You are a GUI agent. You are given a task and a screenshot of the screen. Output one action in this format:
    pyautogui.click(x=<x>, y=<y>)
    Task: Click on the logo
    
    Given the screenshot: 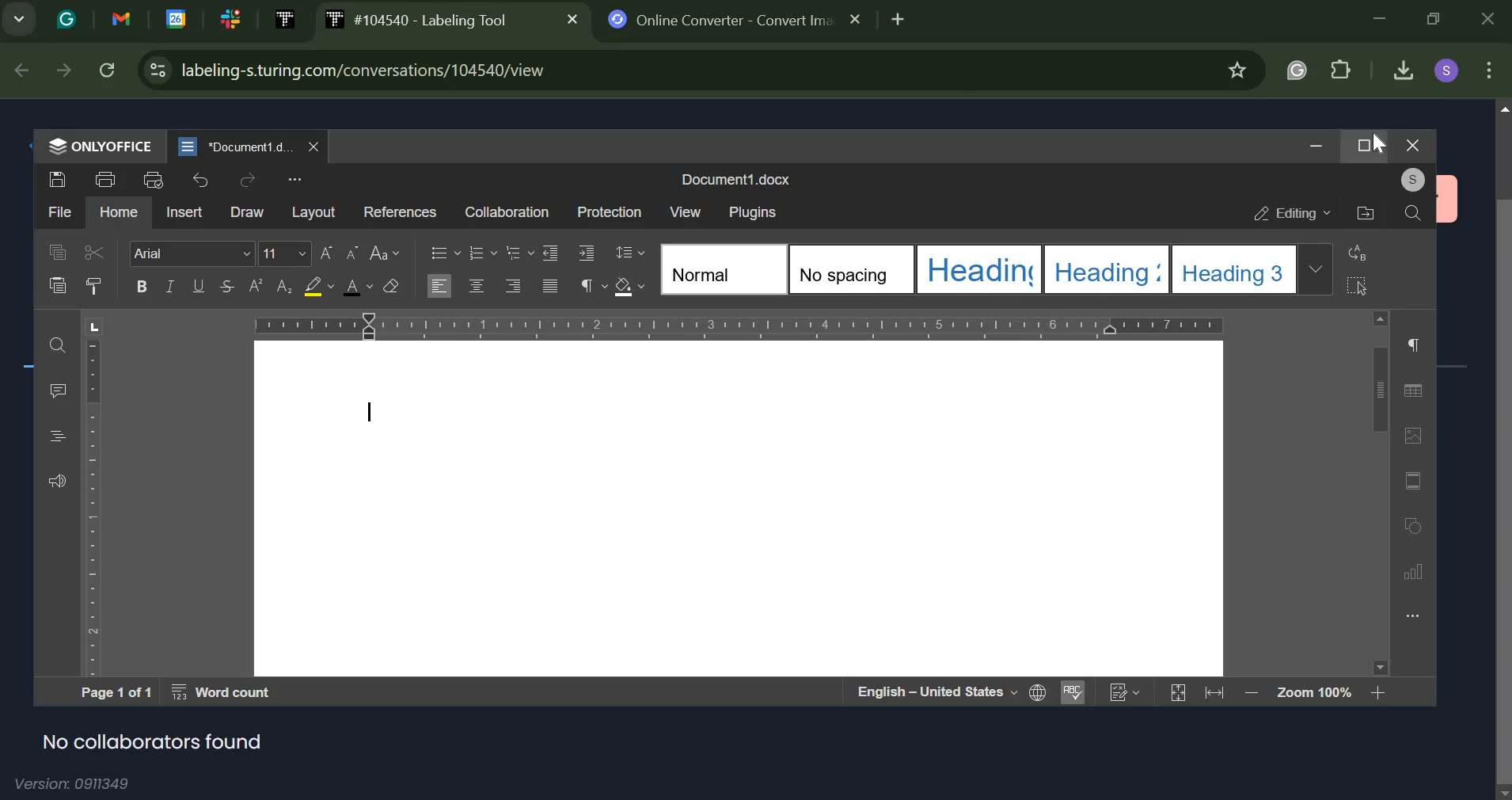 What is the action you would take?
    pyautogui.click(x=177, y=18)
    